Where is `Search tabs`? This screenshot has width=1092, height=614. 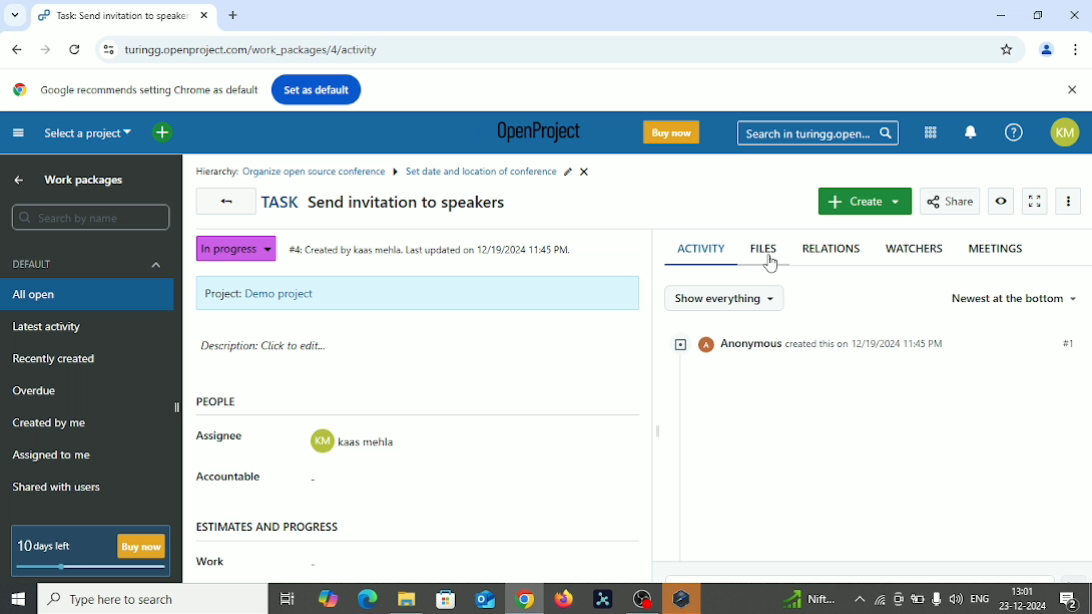
Search tabs is located at coordinates (12, 15).